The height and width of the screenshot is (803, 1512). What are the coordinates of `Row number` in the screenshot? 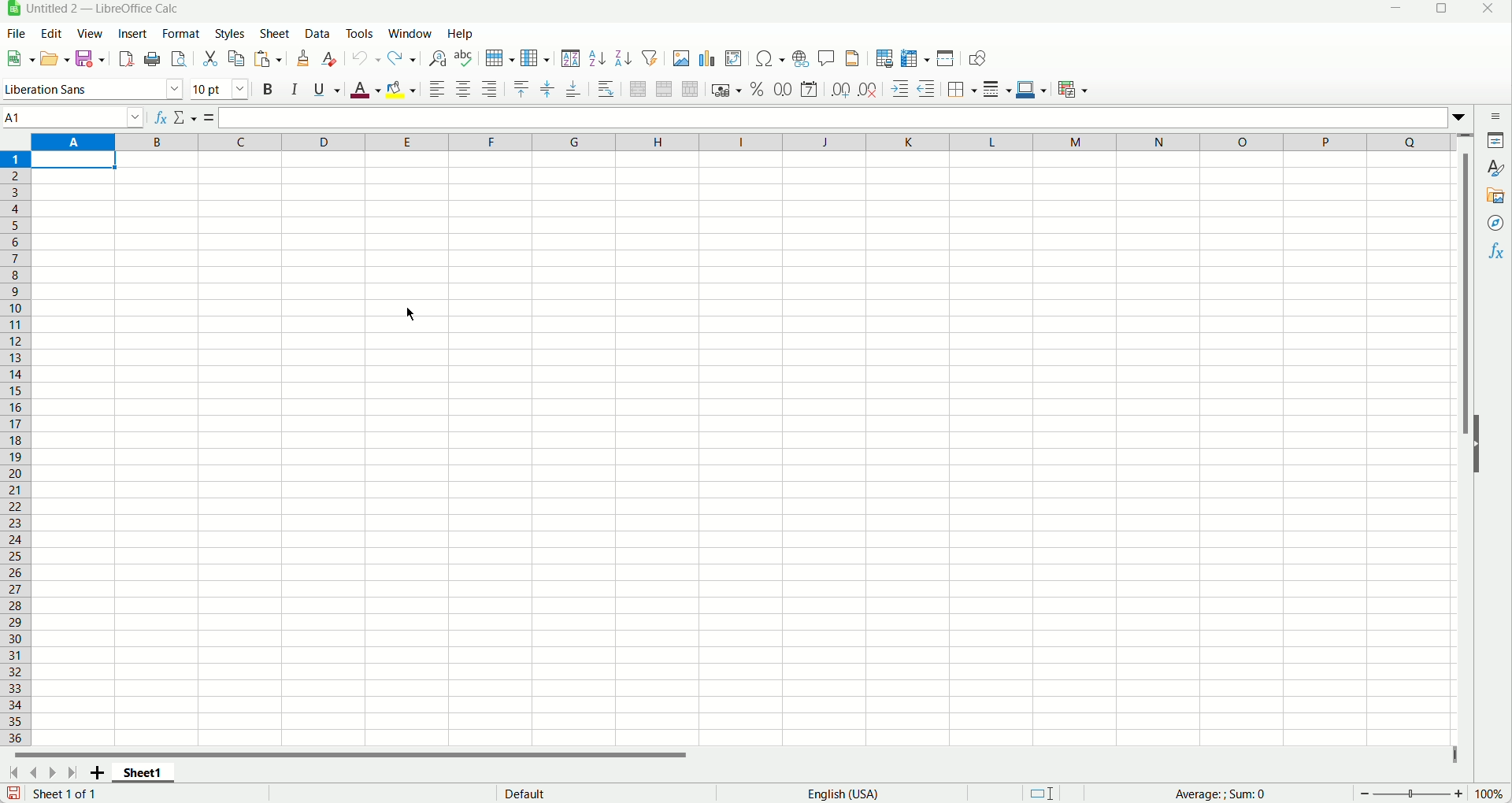 It's located at (17, 450).